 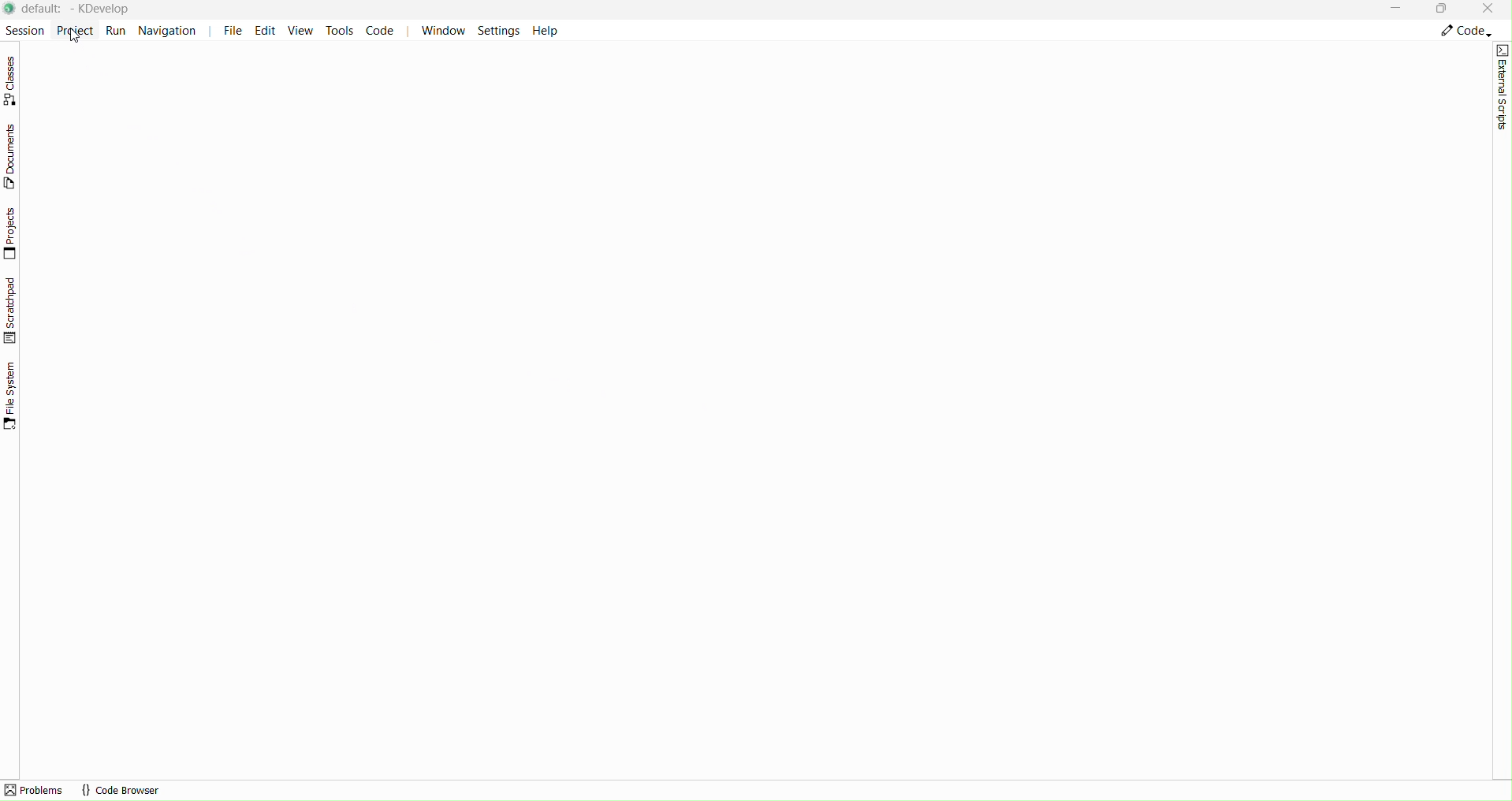 What do you see at coordinates (35, 790) in the screenshot?
I see `problems` at bounding box center [35, 790].